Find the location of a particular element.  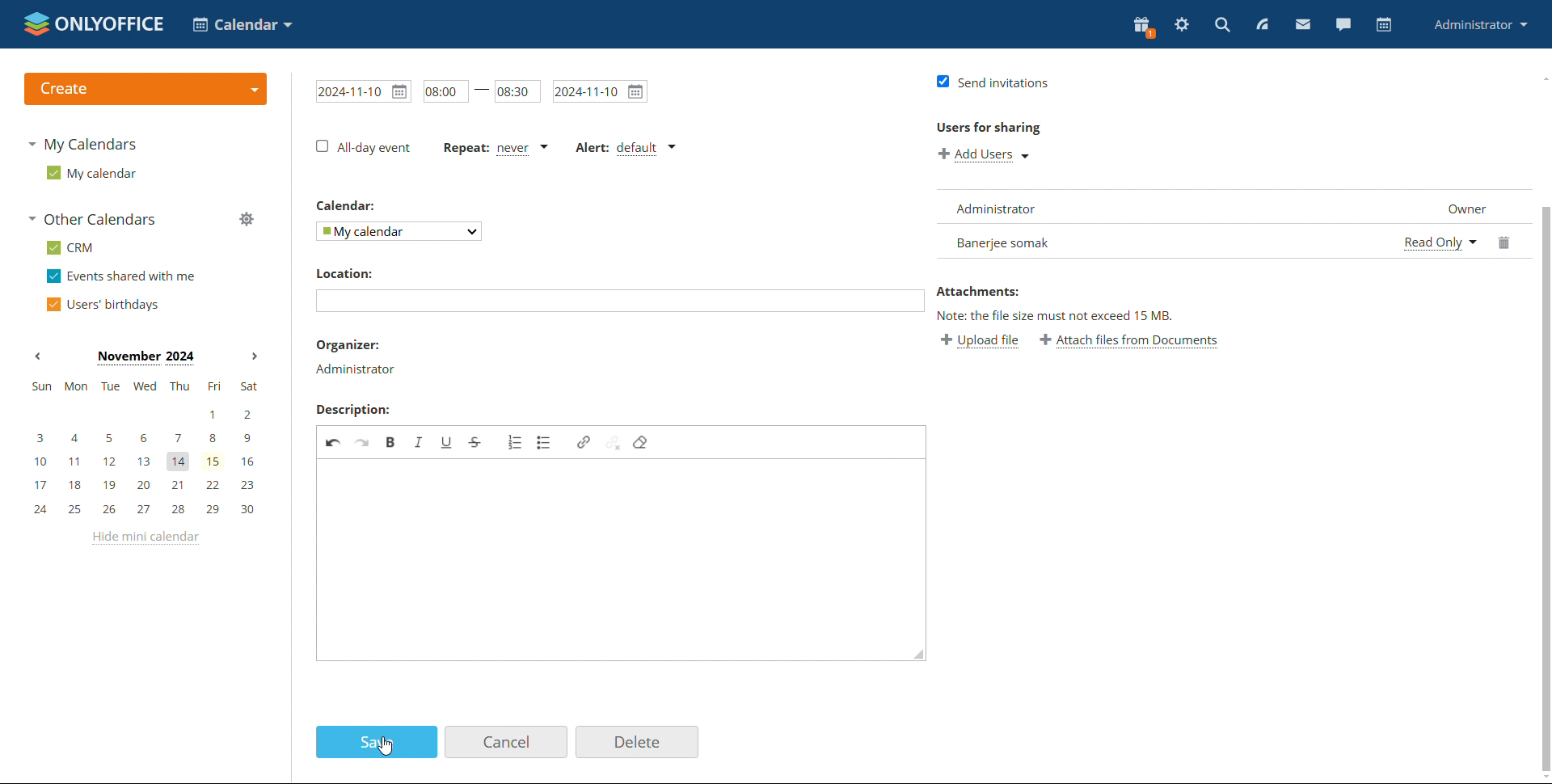

one person added is located at coordinates (1159, 242).